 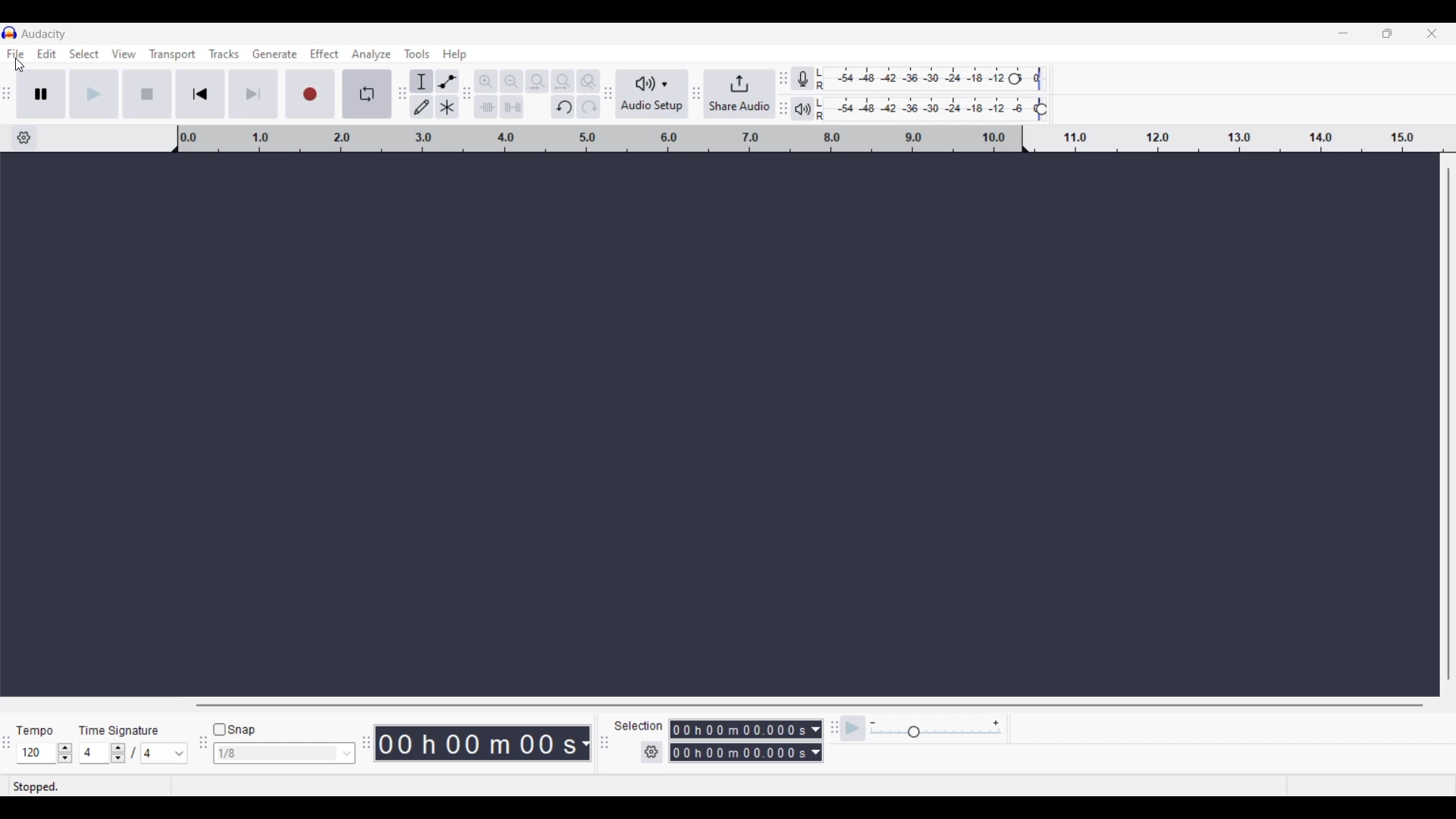 I want to click on Help menu, so click(x=455, y=55).